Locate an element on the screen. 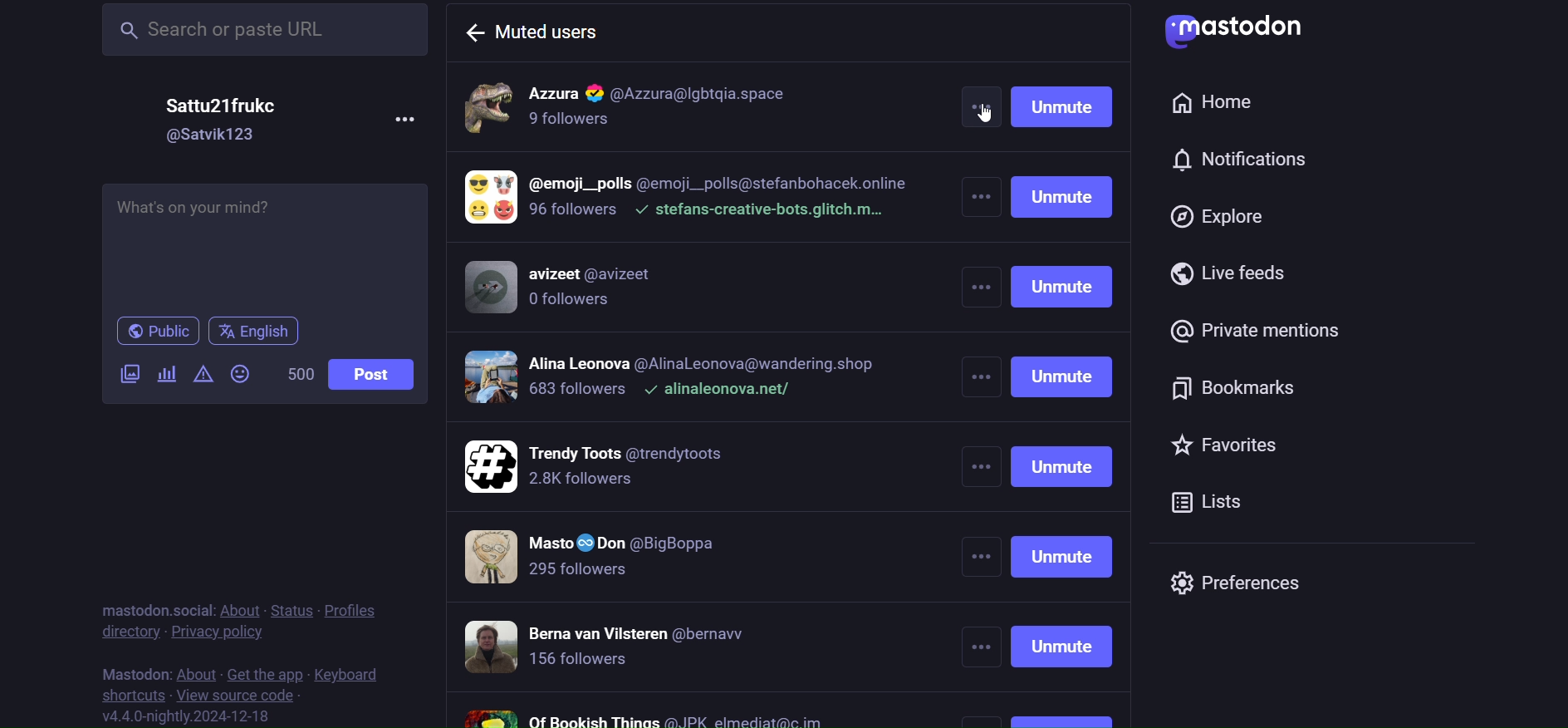  id is located at coordinates (211, 135).